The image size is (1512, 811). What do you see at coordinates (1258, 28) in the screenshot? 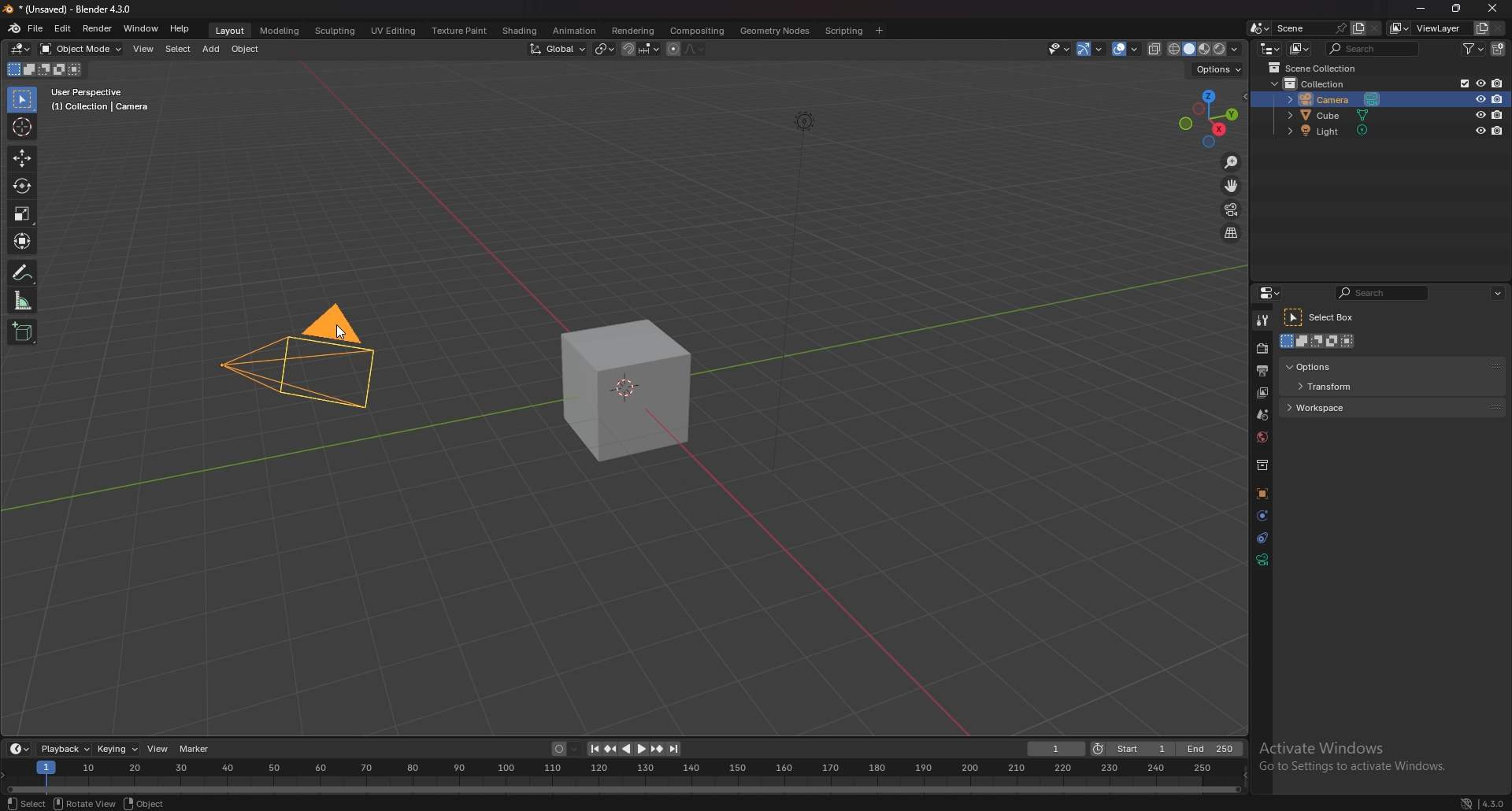
I see `browse scene` at bounding box center [1258, 28].